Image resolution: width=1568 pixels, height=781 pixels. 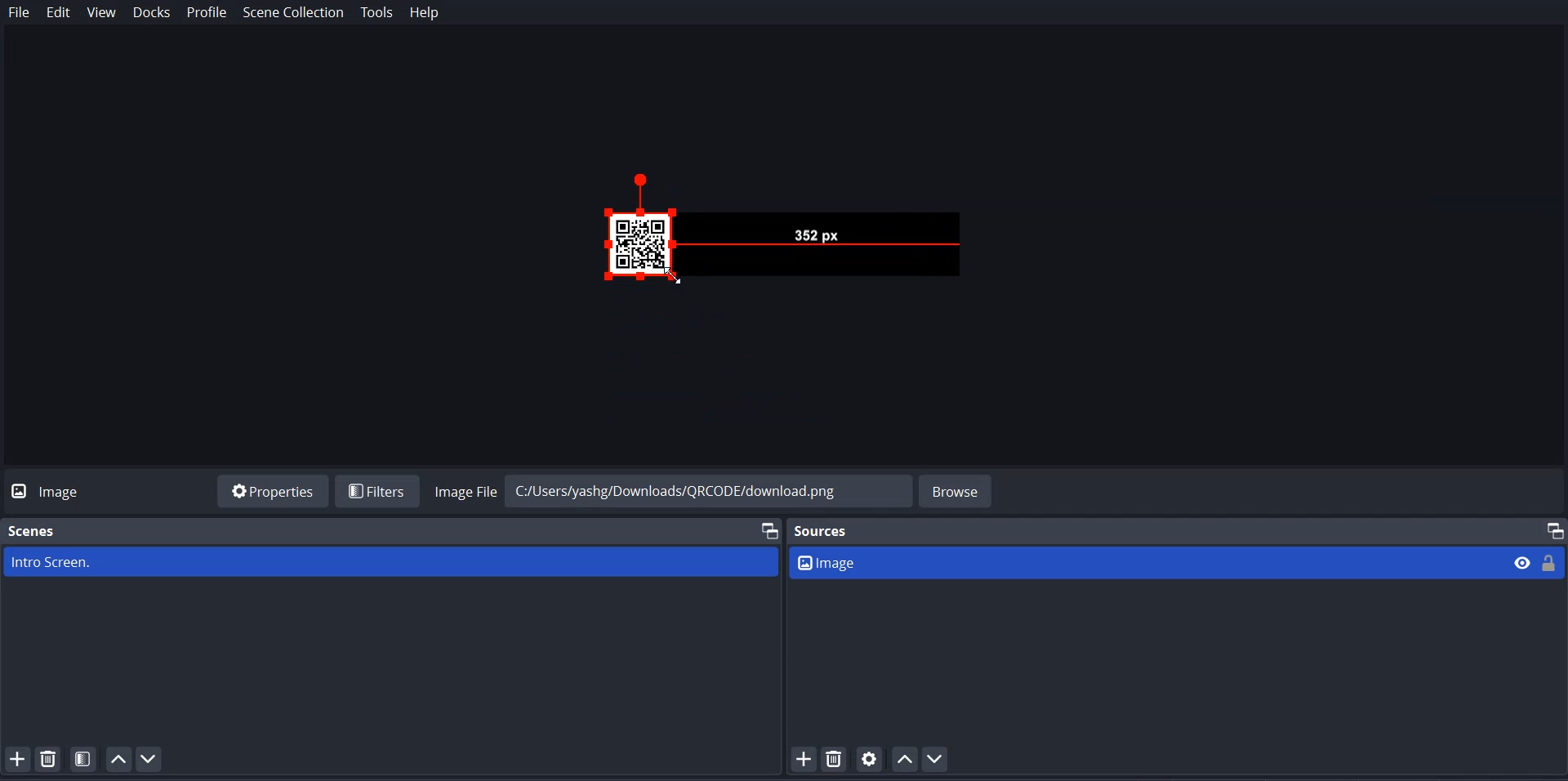 What do you see at coordinates (376, 490) in the screenshot?
I see `Filters` at bounding box center [376, 490].